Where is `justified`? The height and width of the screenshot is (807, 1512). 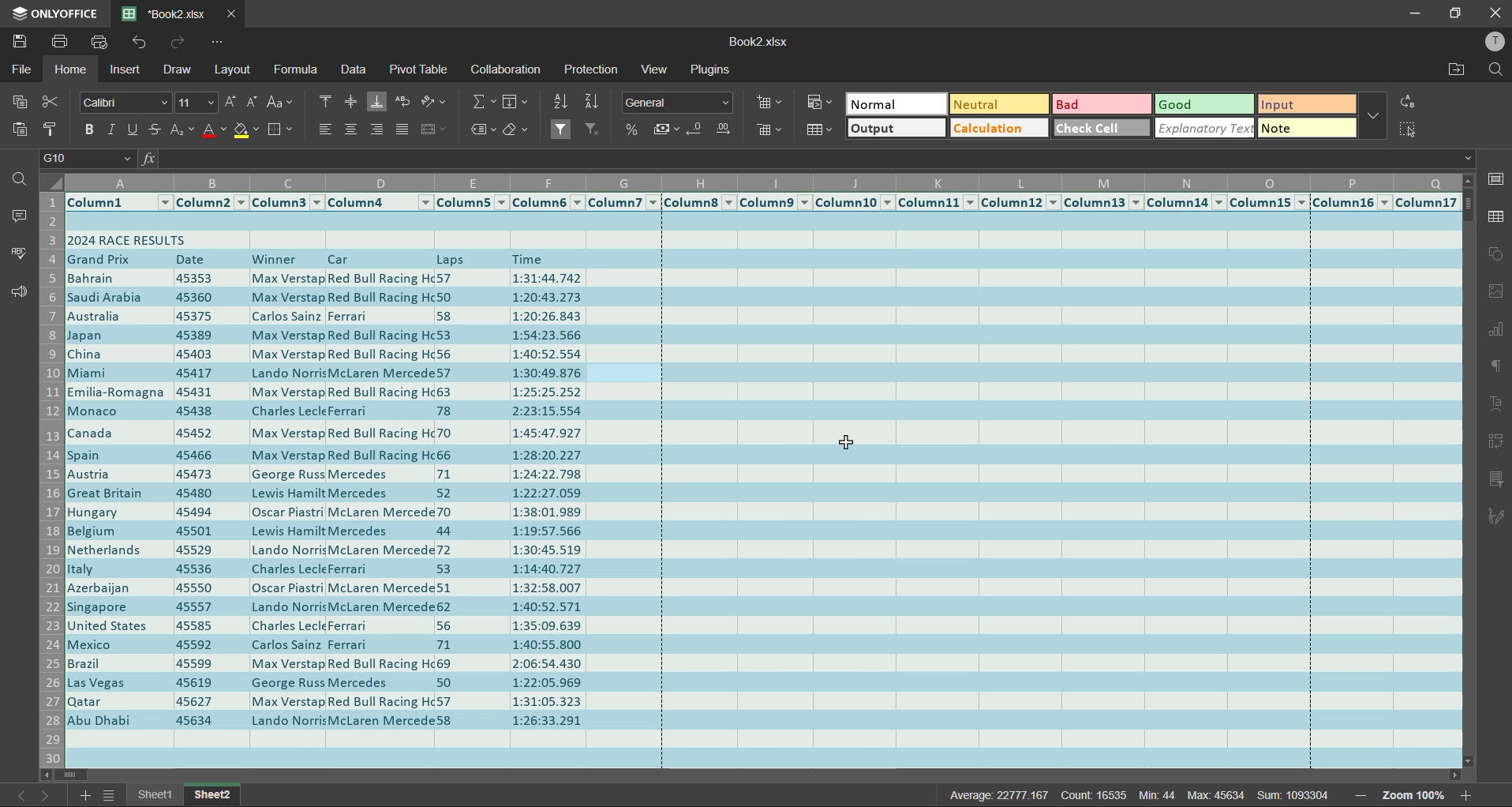 justified is located at coordinates (402, 128).